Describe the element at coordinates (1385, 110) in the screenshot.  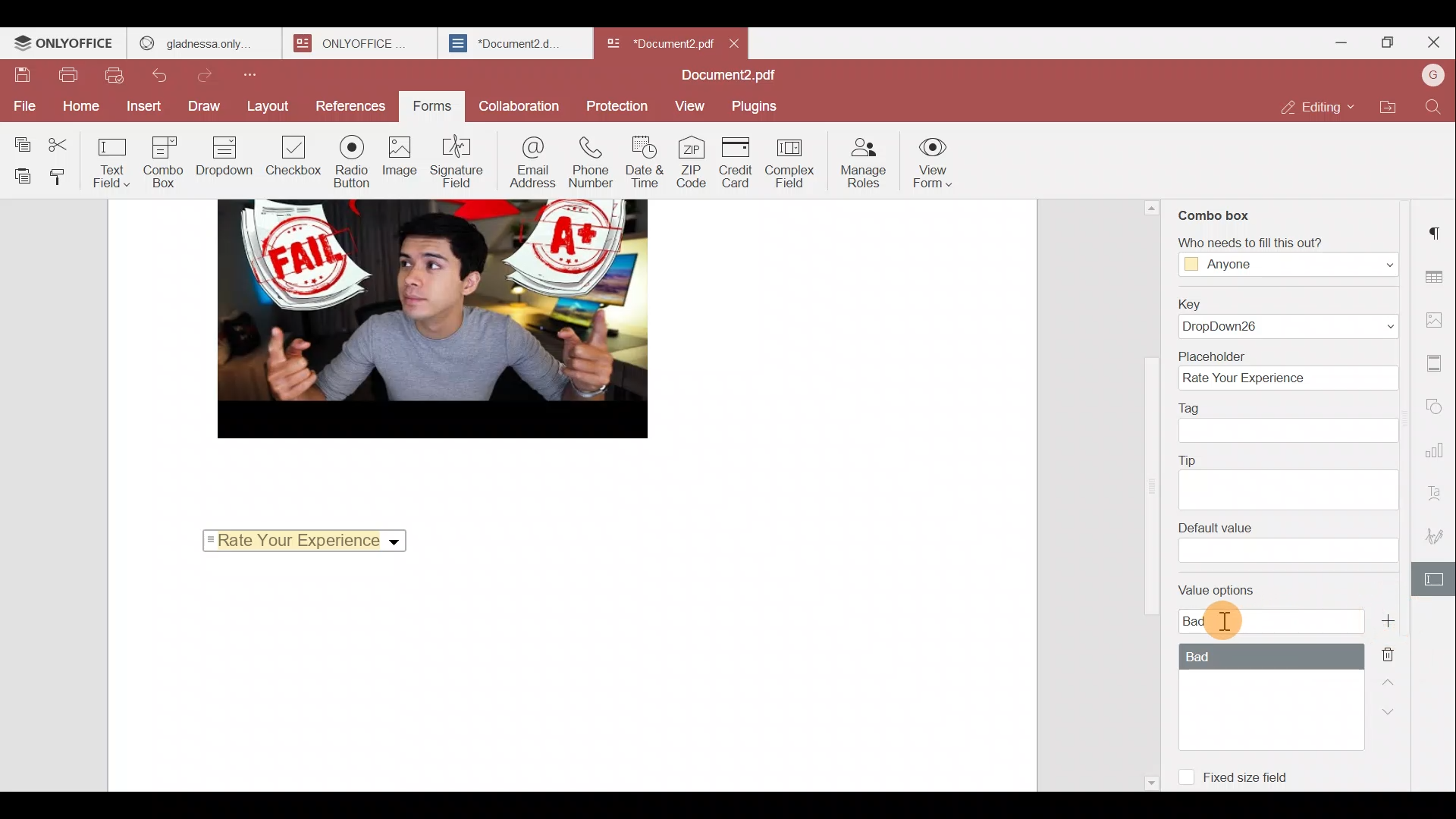
I see `Open file location` at that location.